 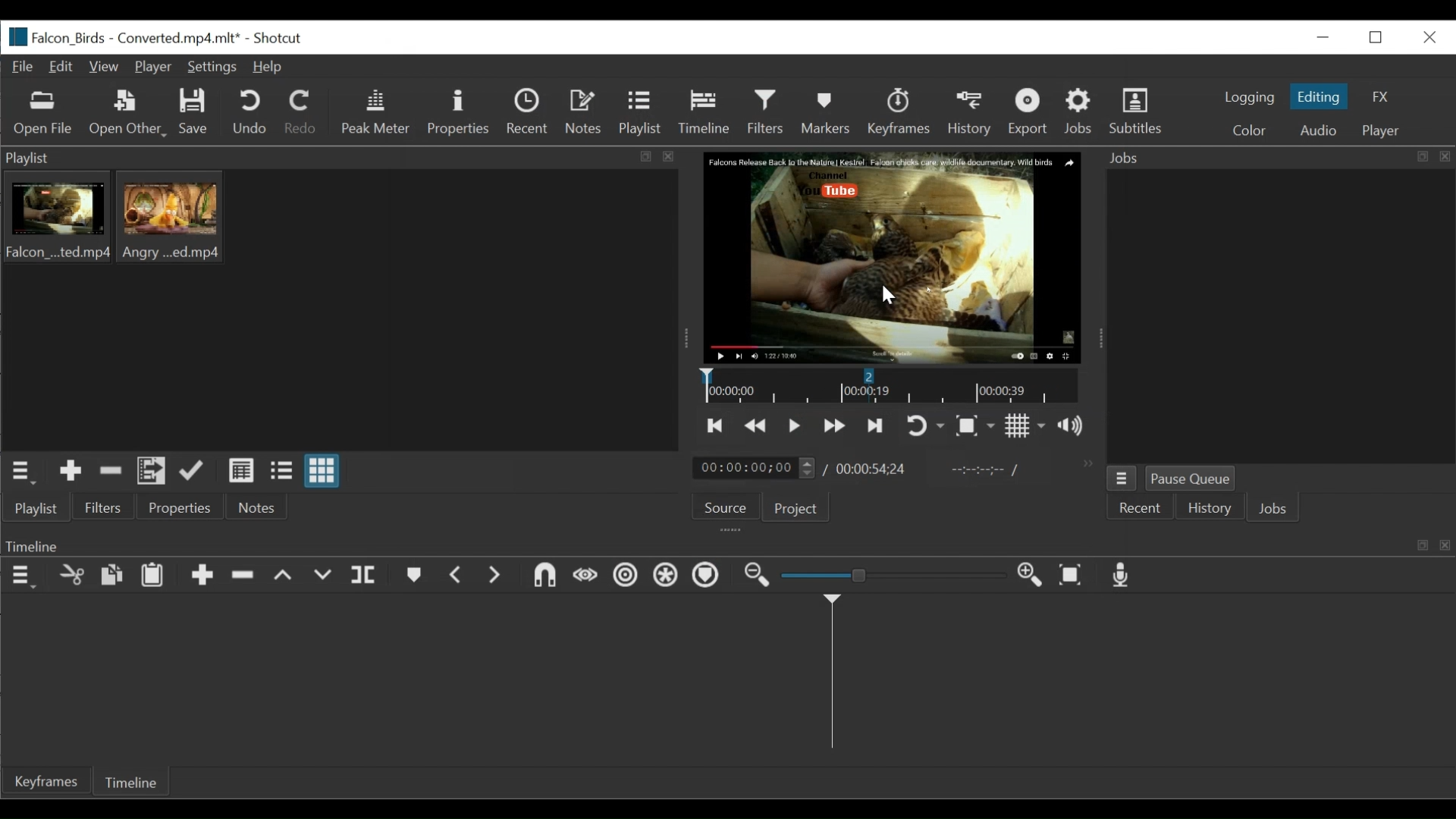 I want to click on Scrub while dragging, so click(x=585, y=576).